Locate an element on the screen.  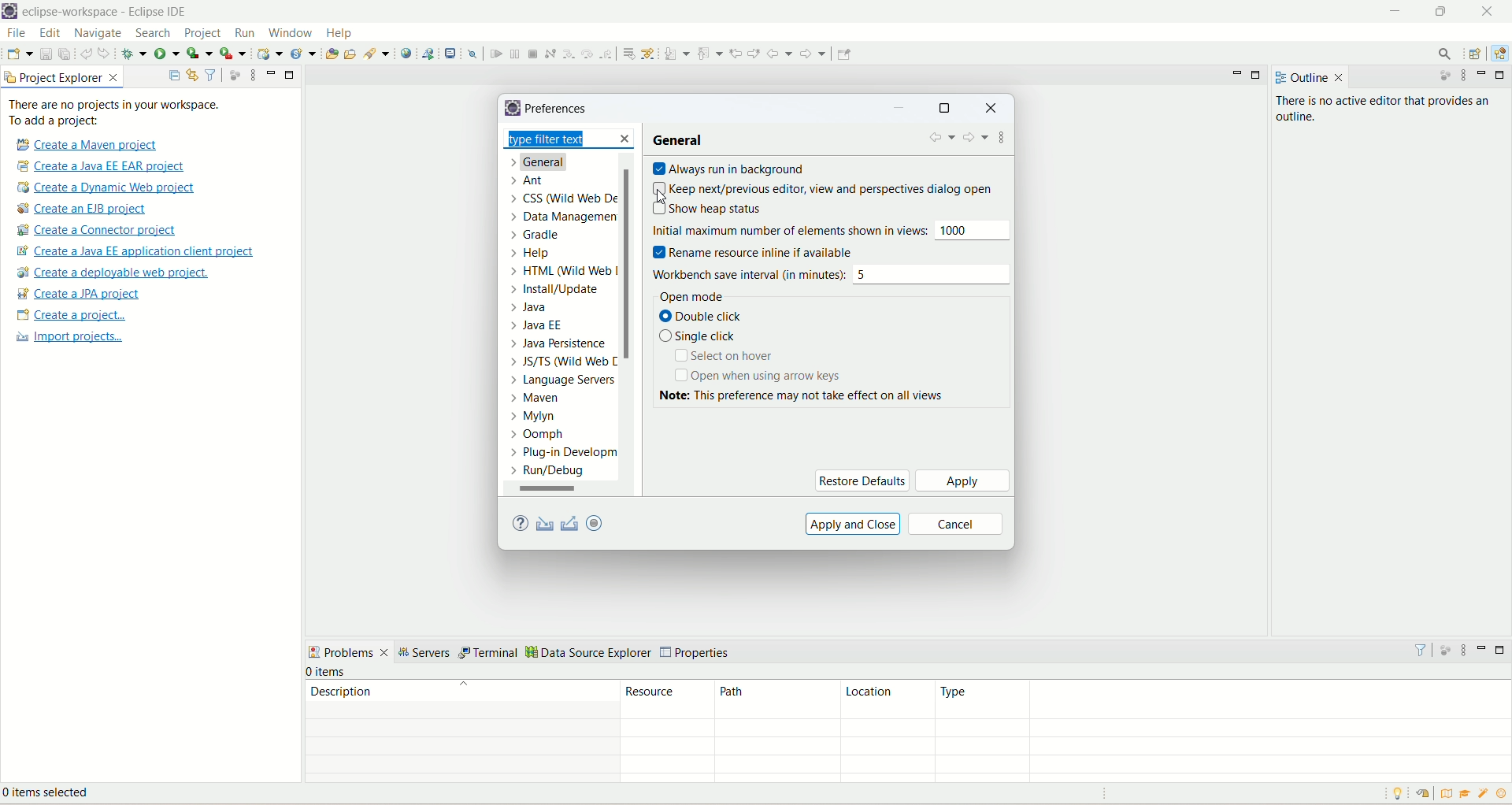
Instal/update is located at coordinates (555, 291).